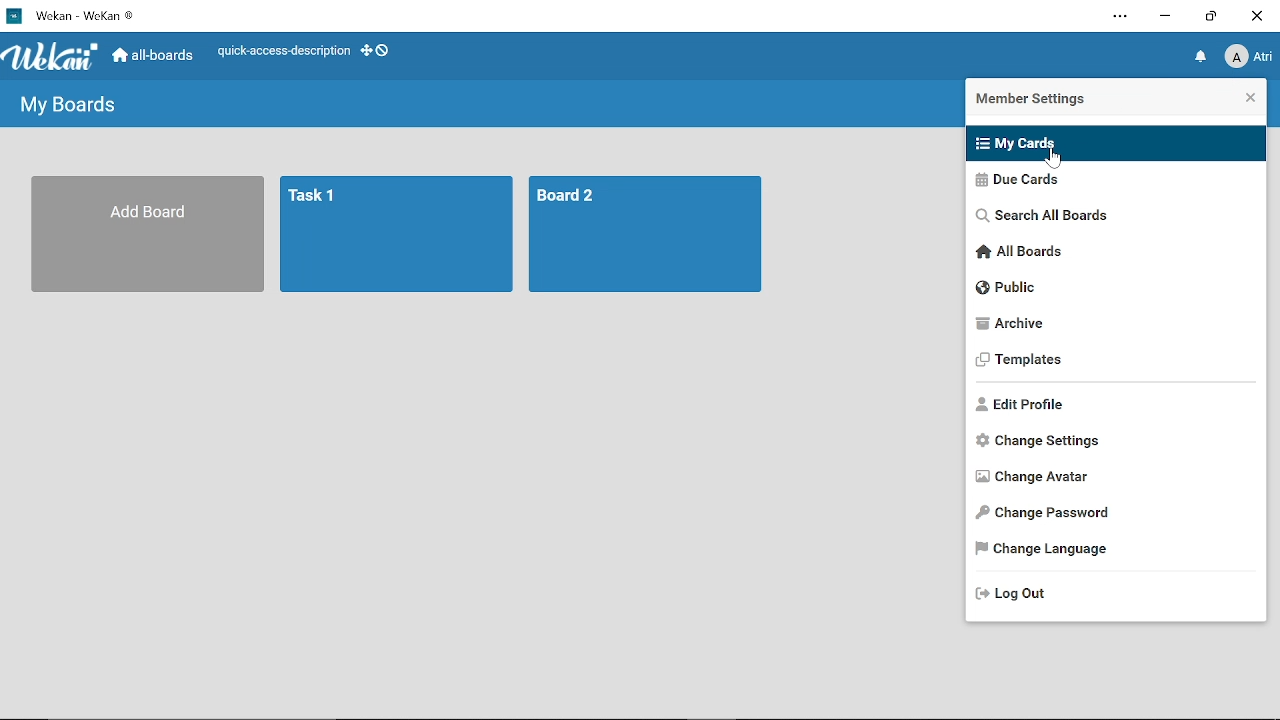 This screenshot has height=720, width=1280. I want to click on Profile name, so click(1248, 61).